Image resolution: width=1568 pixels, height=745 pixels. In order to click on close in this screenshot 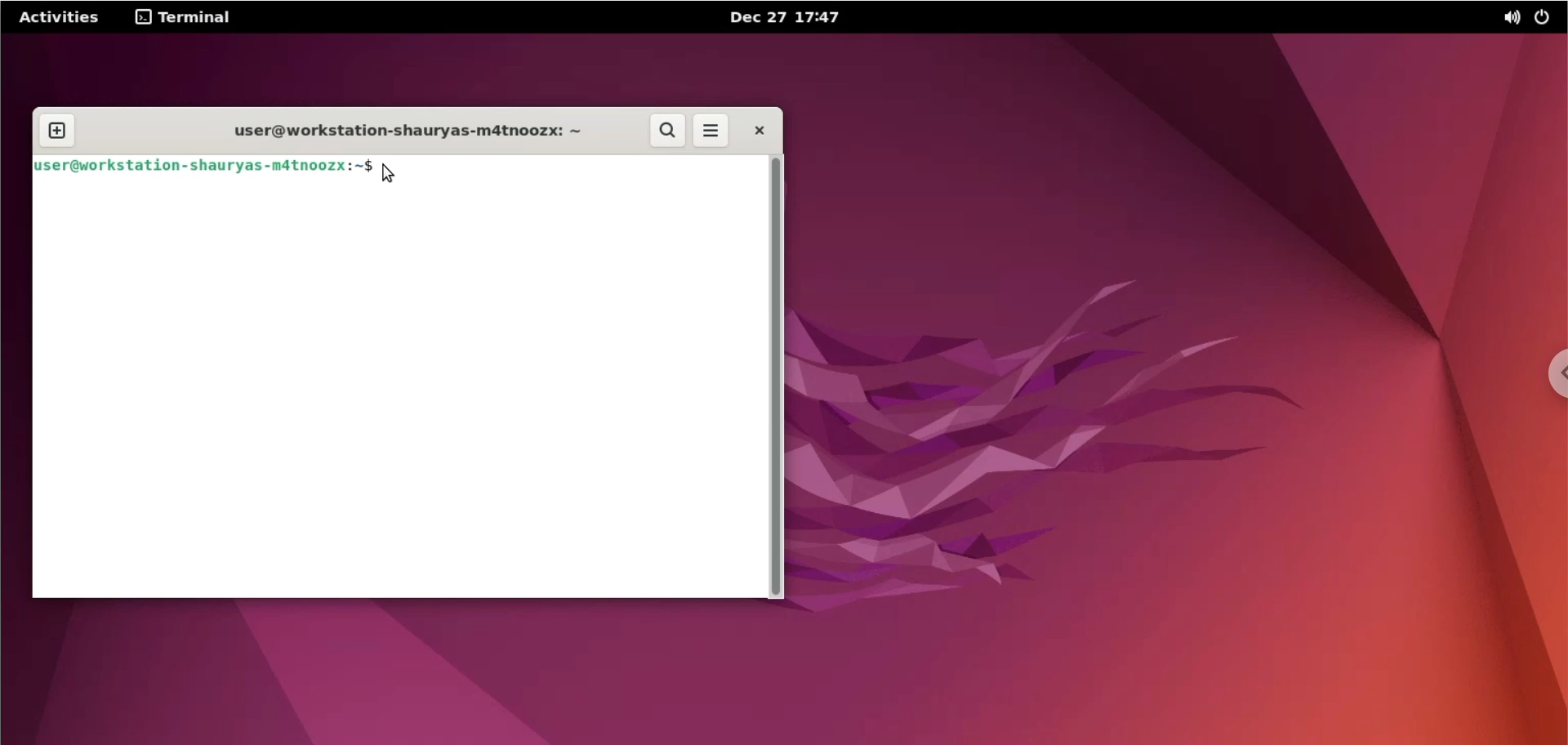, I will do `click(759, 131)`.